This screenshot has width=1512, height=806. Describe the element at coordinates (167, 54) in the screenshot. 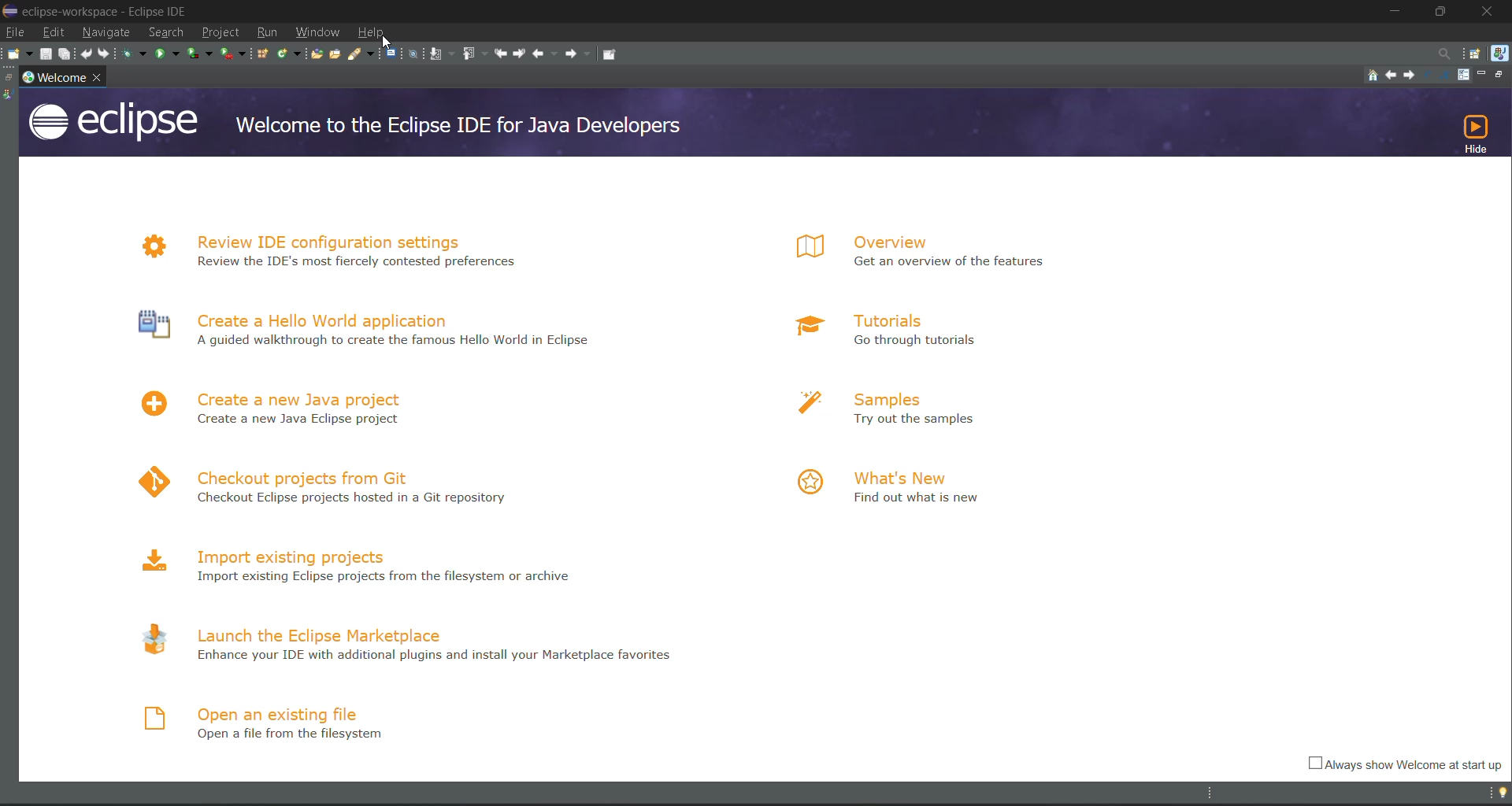

I see `run` at that location.